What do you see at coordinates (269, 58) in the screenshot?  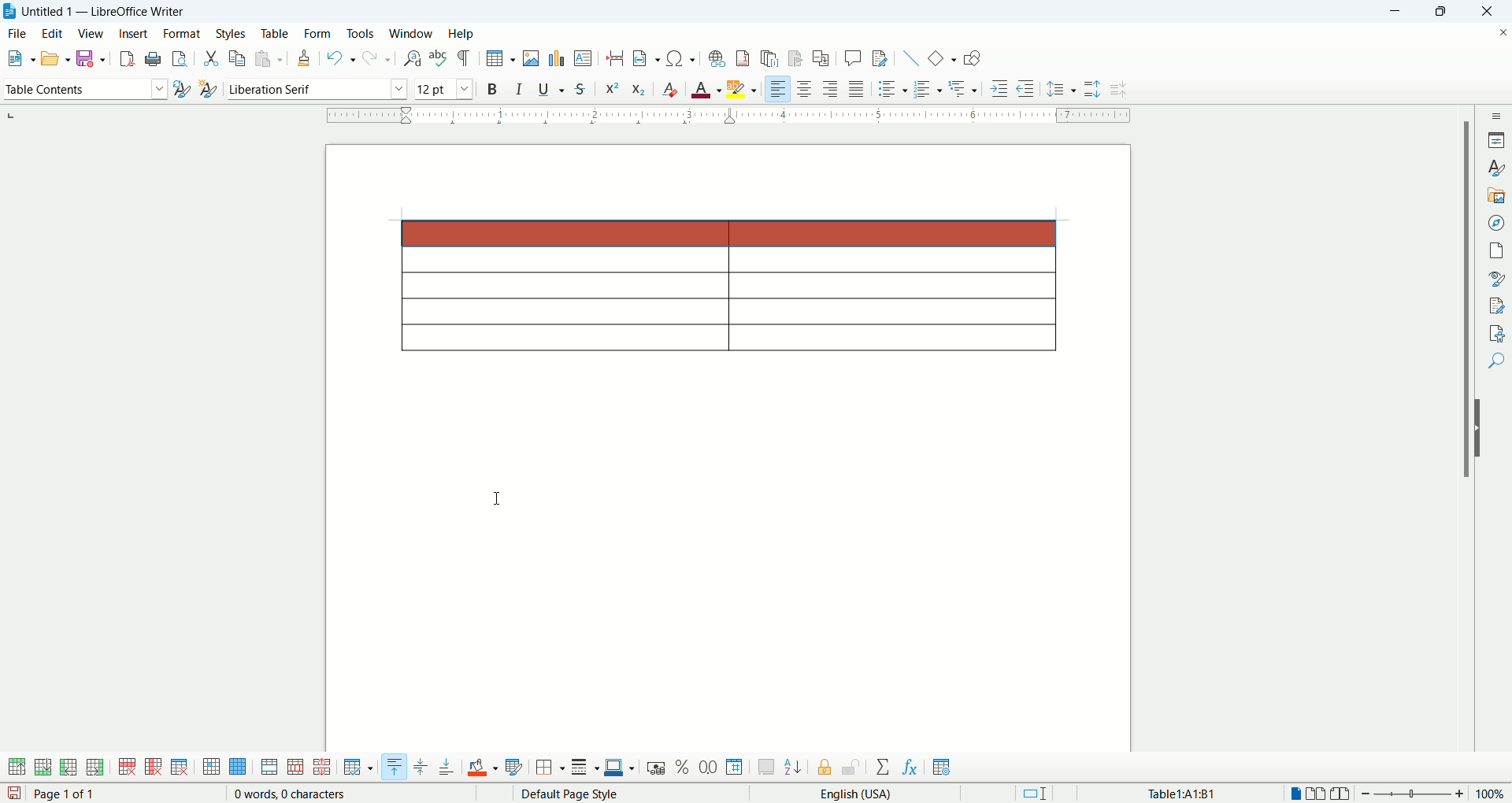 I see `paste` at bounding box center [269, 58].